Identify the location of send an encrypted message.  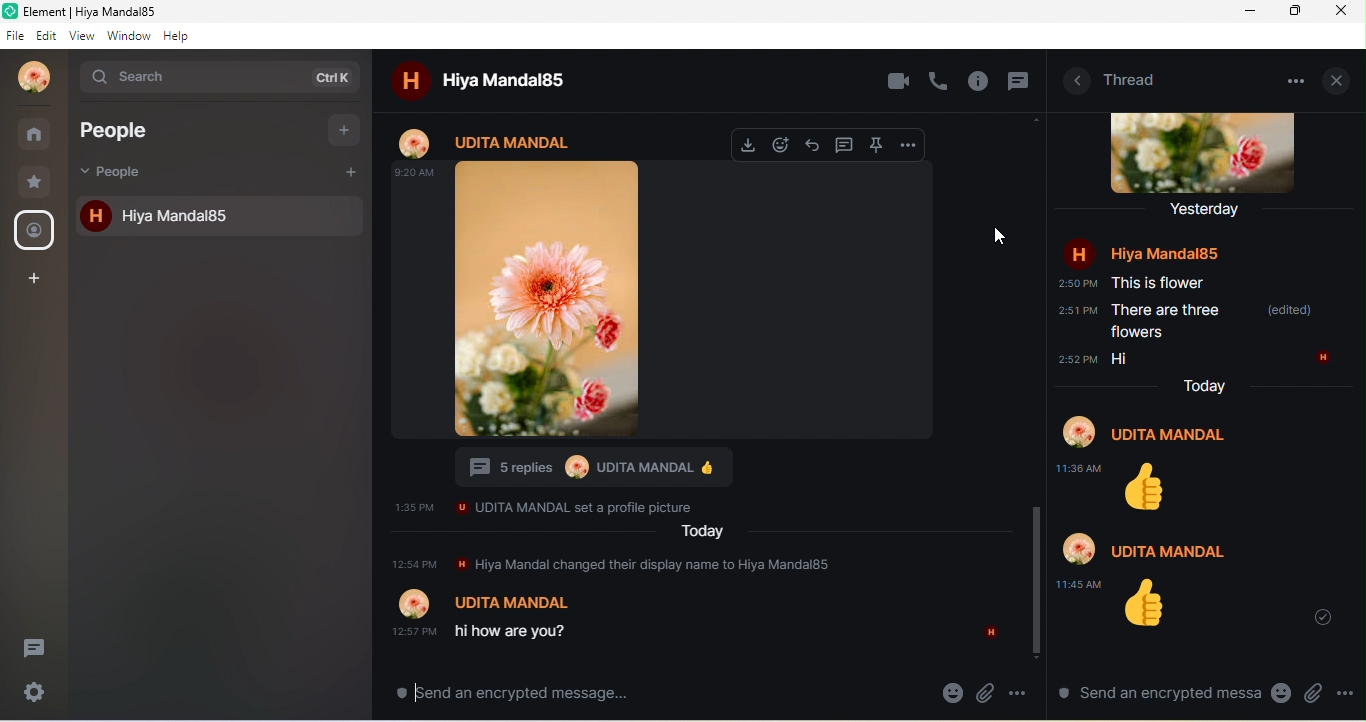
(517, 692).